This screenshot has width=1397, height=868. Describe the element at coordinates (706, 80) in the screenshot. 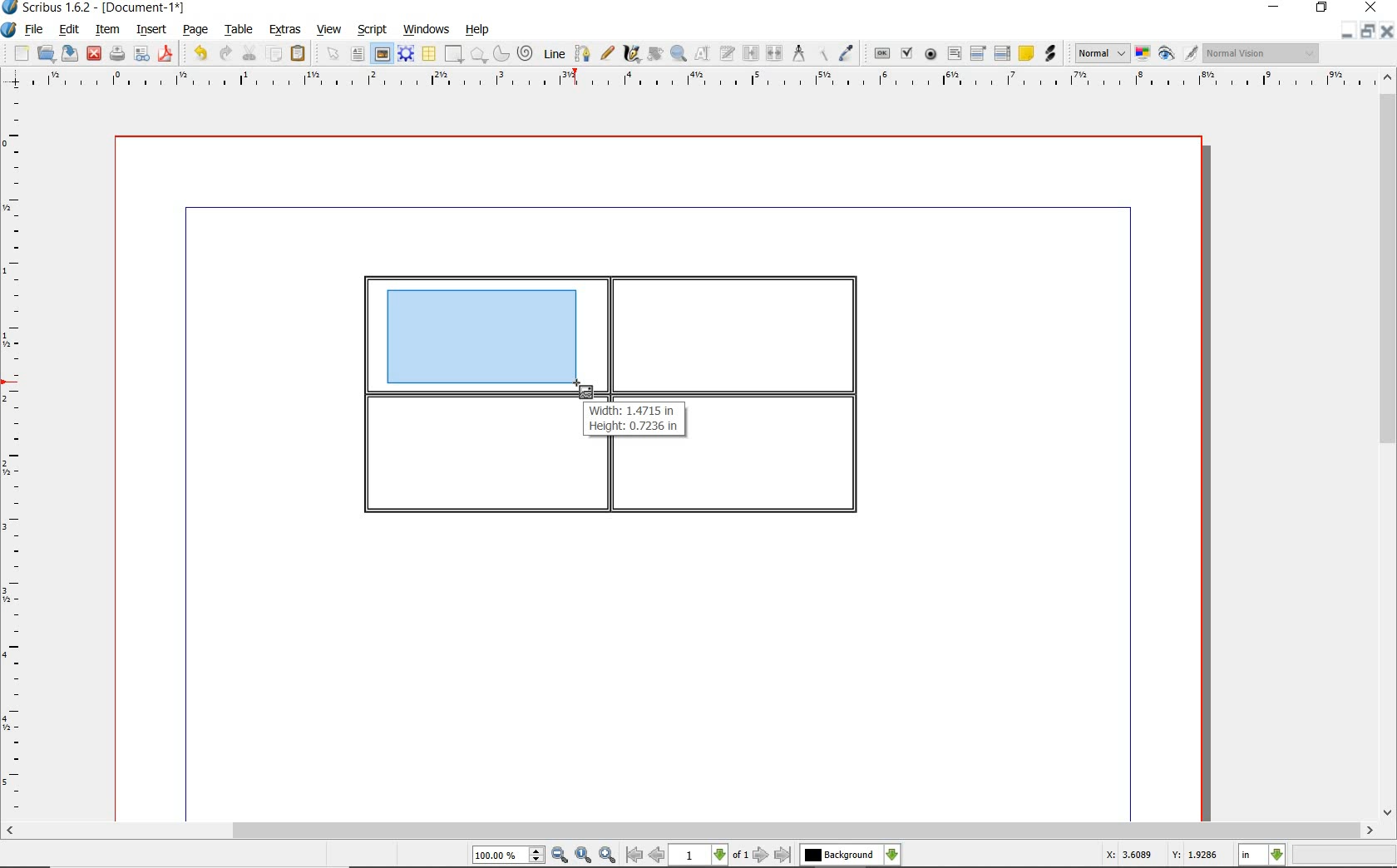

I see `ruler` at that location.